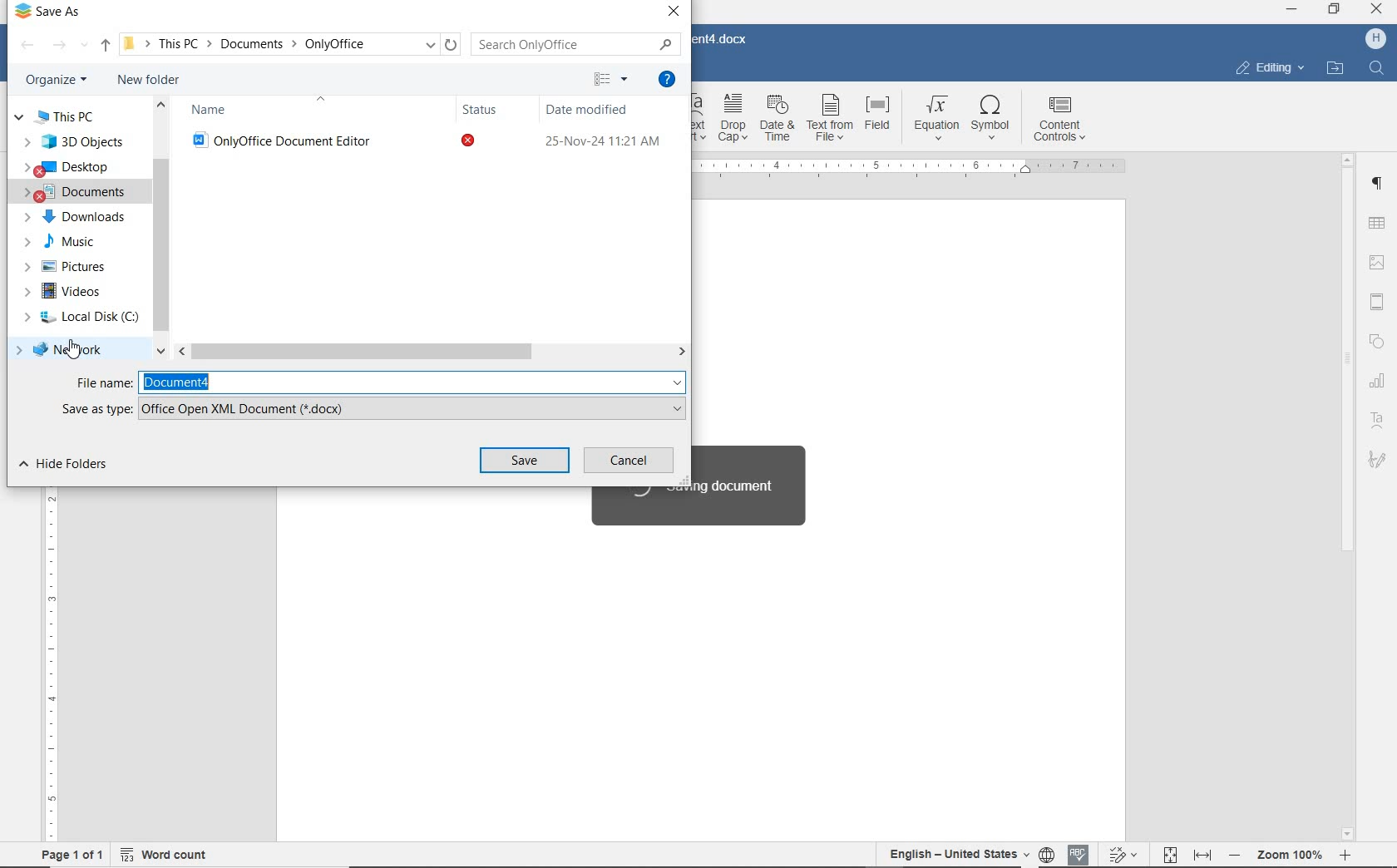  Describe the element at coordinates (52, 81) in the screenshot. I see `organize` at that location.